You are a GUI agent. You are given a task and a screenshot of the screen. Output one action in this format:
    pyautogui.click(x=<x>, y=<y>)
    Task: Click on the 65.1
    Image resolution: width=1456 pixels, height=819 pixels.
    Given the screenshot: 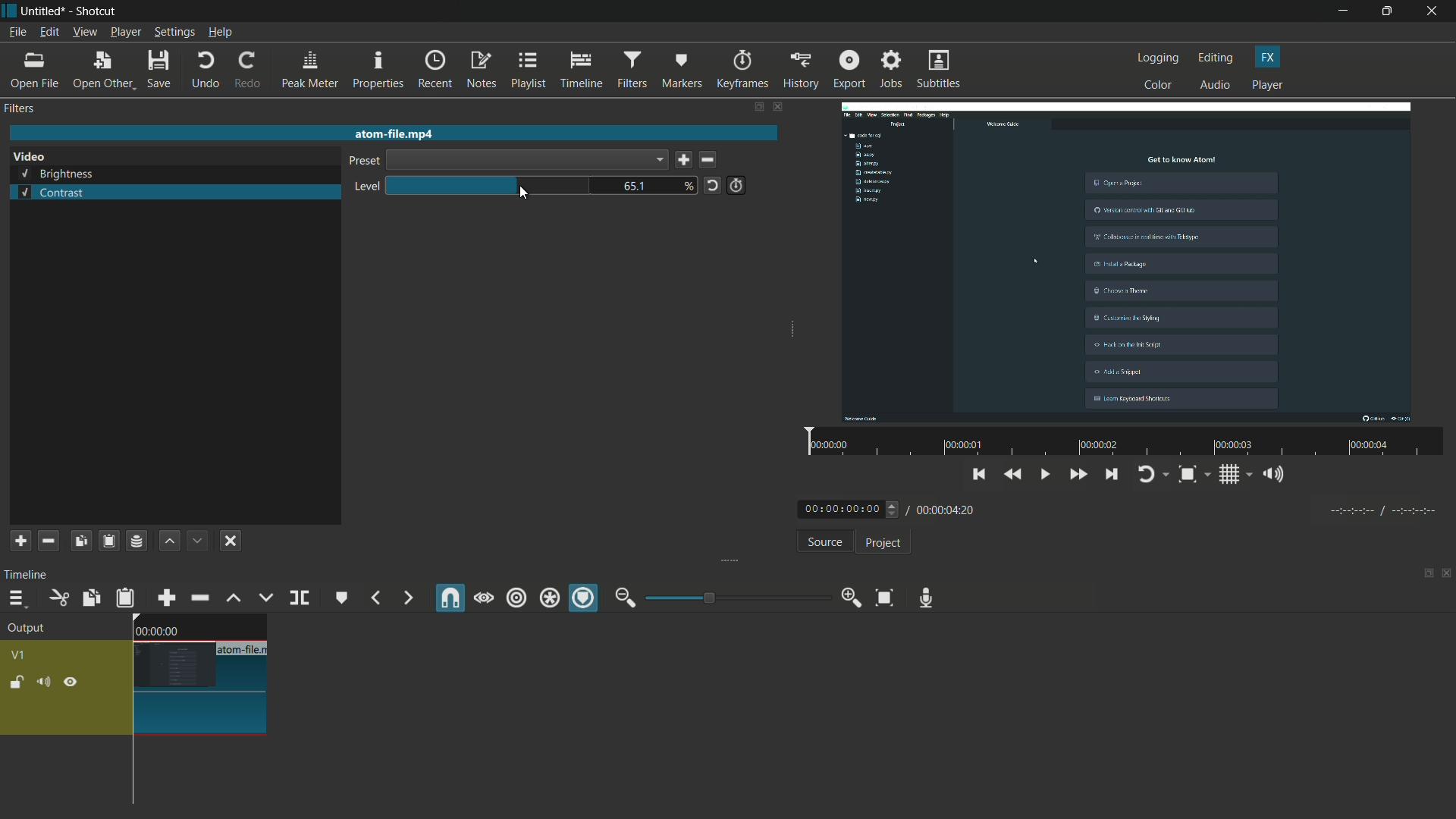 What is the action you would take?
    pyautogui.click(x=638, y=187)
    